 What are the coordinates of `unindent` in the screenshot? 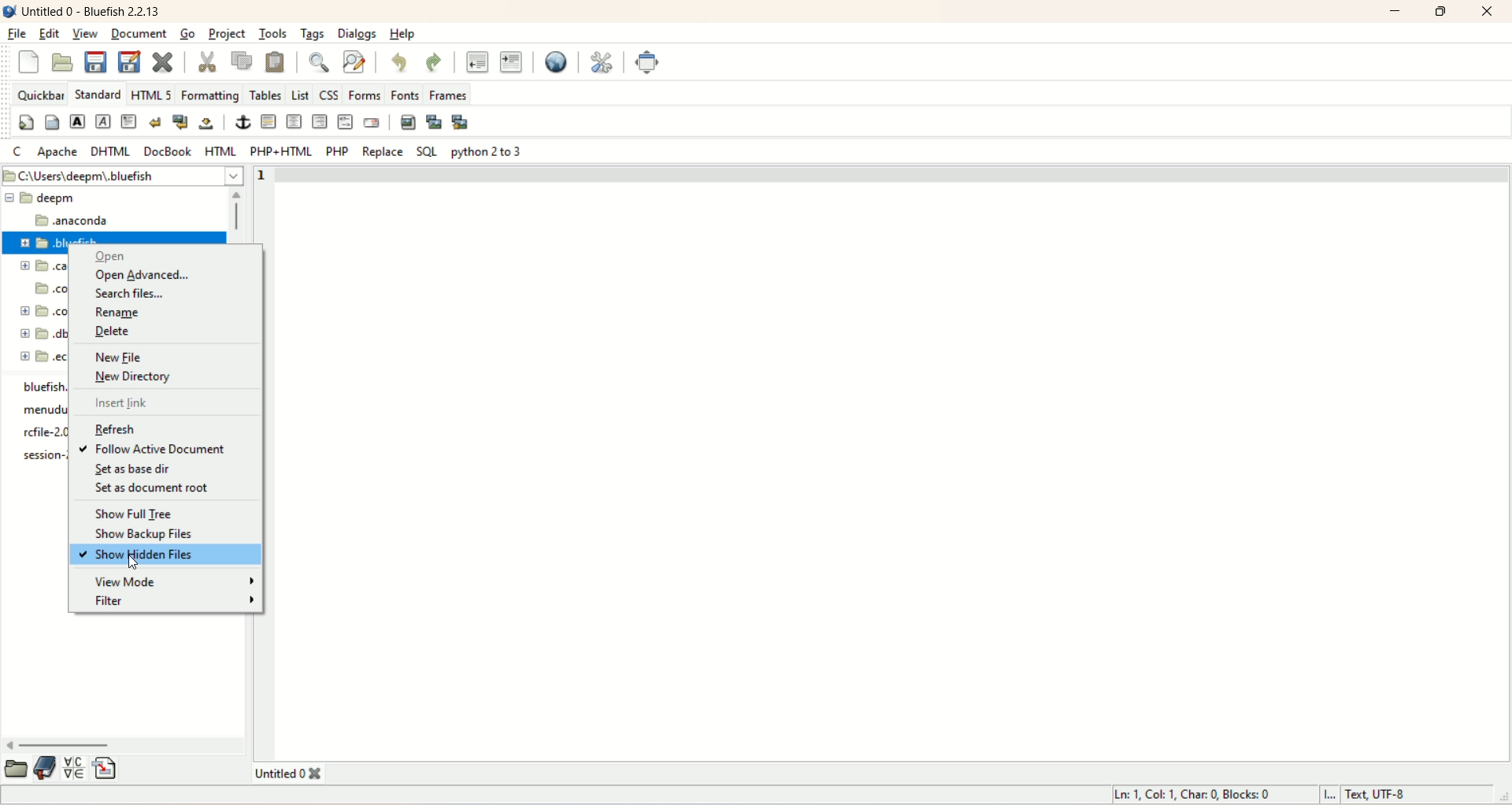 It's located at (479, 61).